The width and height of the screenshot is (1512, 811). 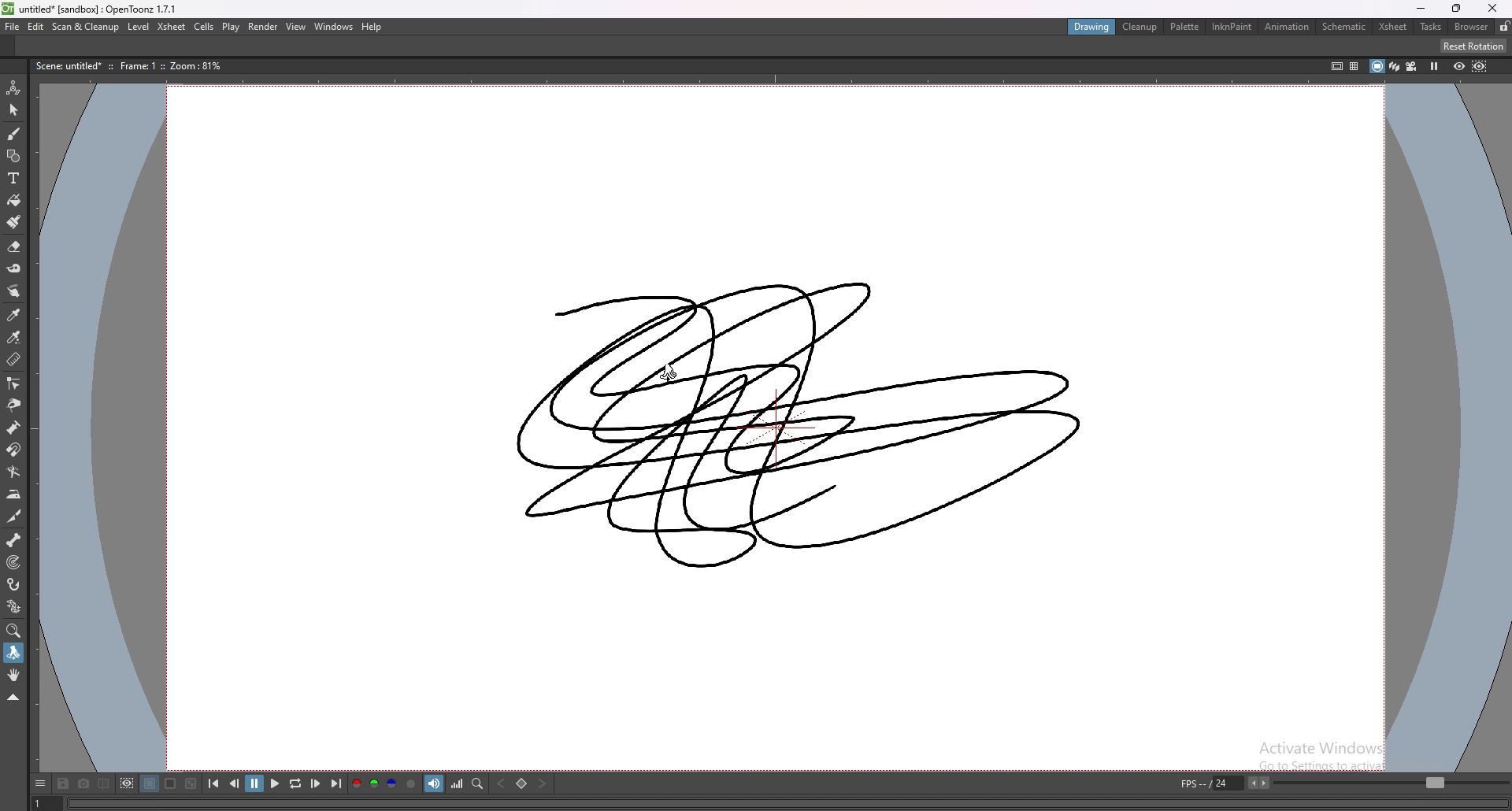 What do you see at coordinates (13, 450) in the screenshot?
I see `magnet` at bounding box center [13, 450].